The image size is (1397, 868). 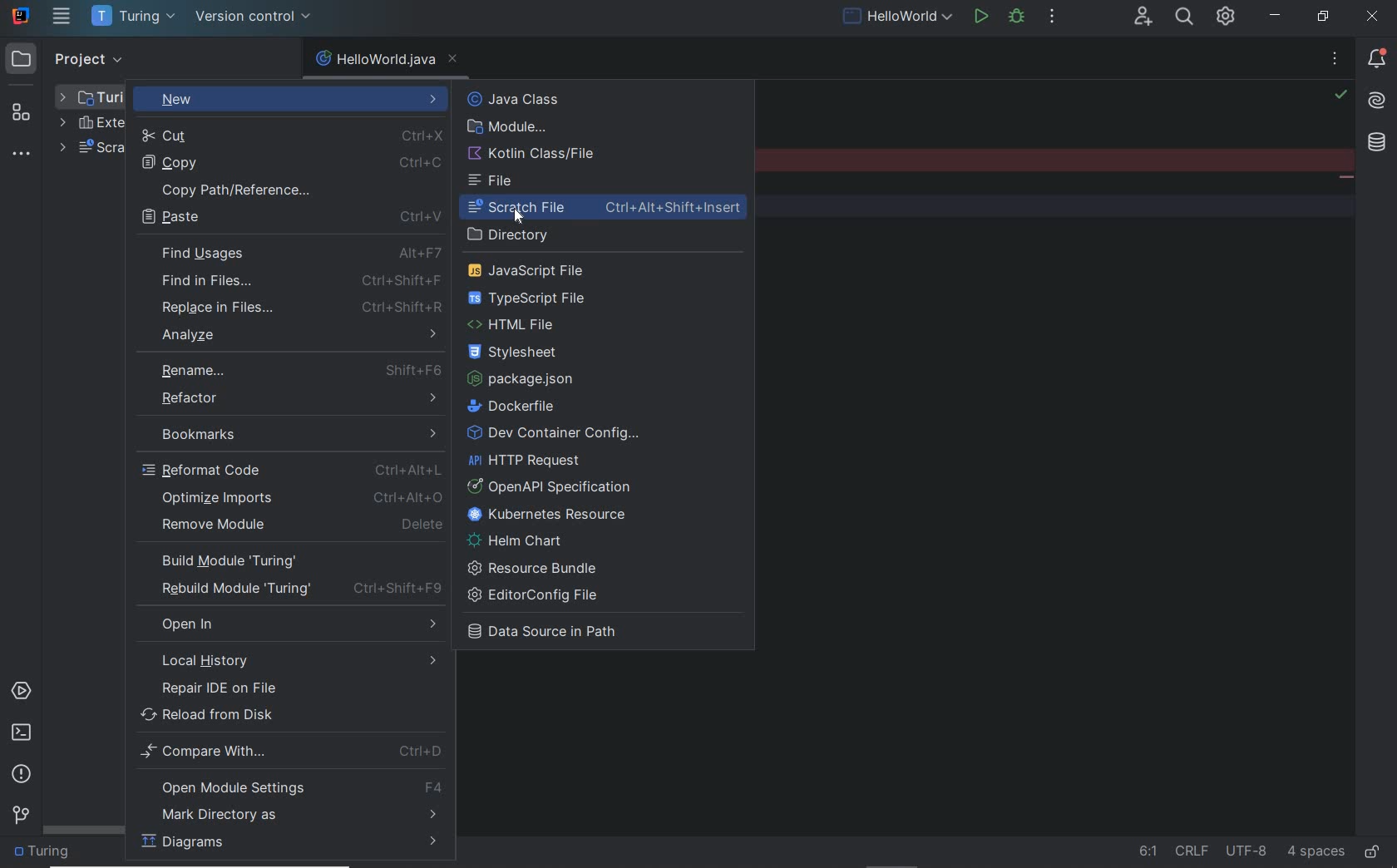 What do you see at coordinates (68, 57) in the screenshot?
I see `project` at bounding box center [68, 57].